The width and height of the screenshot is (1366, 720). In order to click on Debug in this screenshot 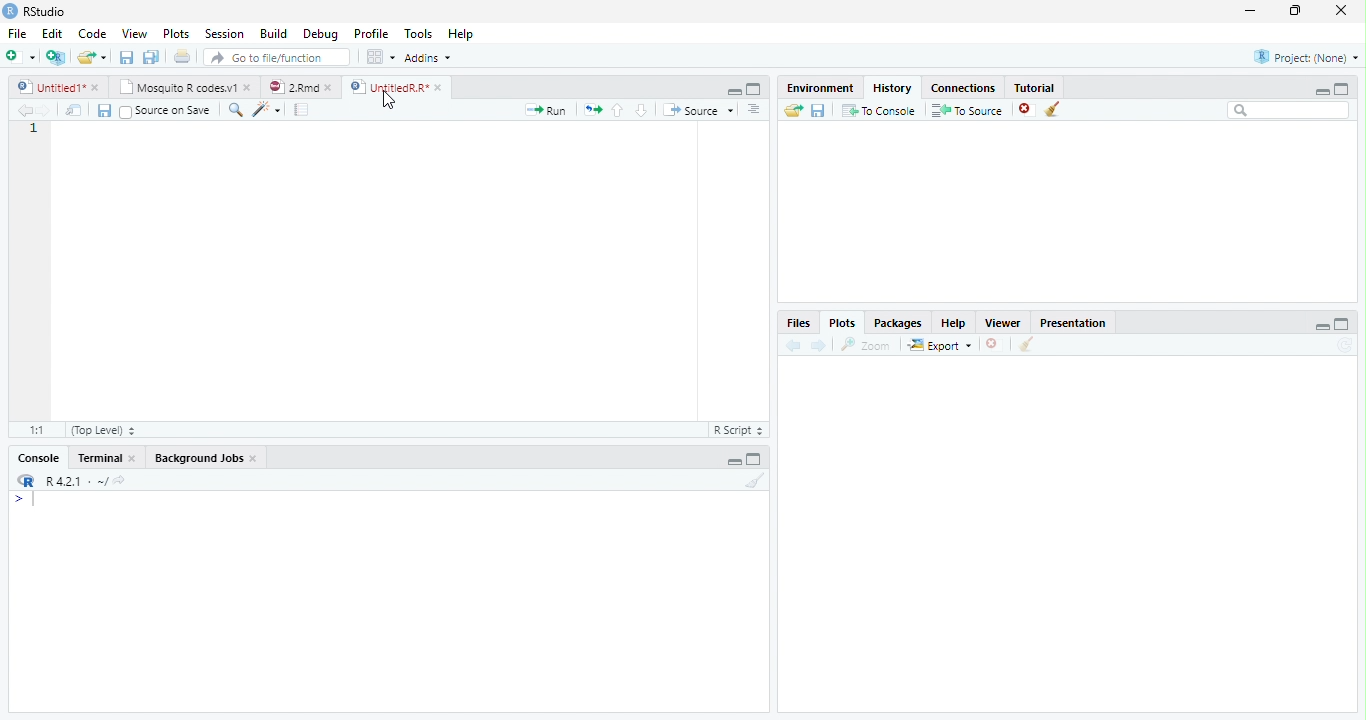, I will do `click(324, 35)`.